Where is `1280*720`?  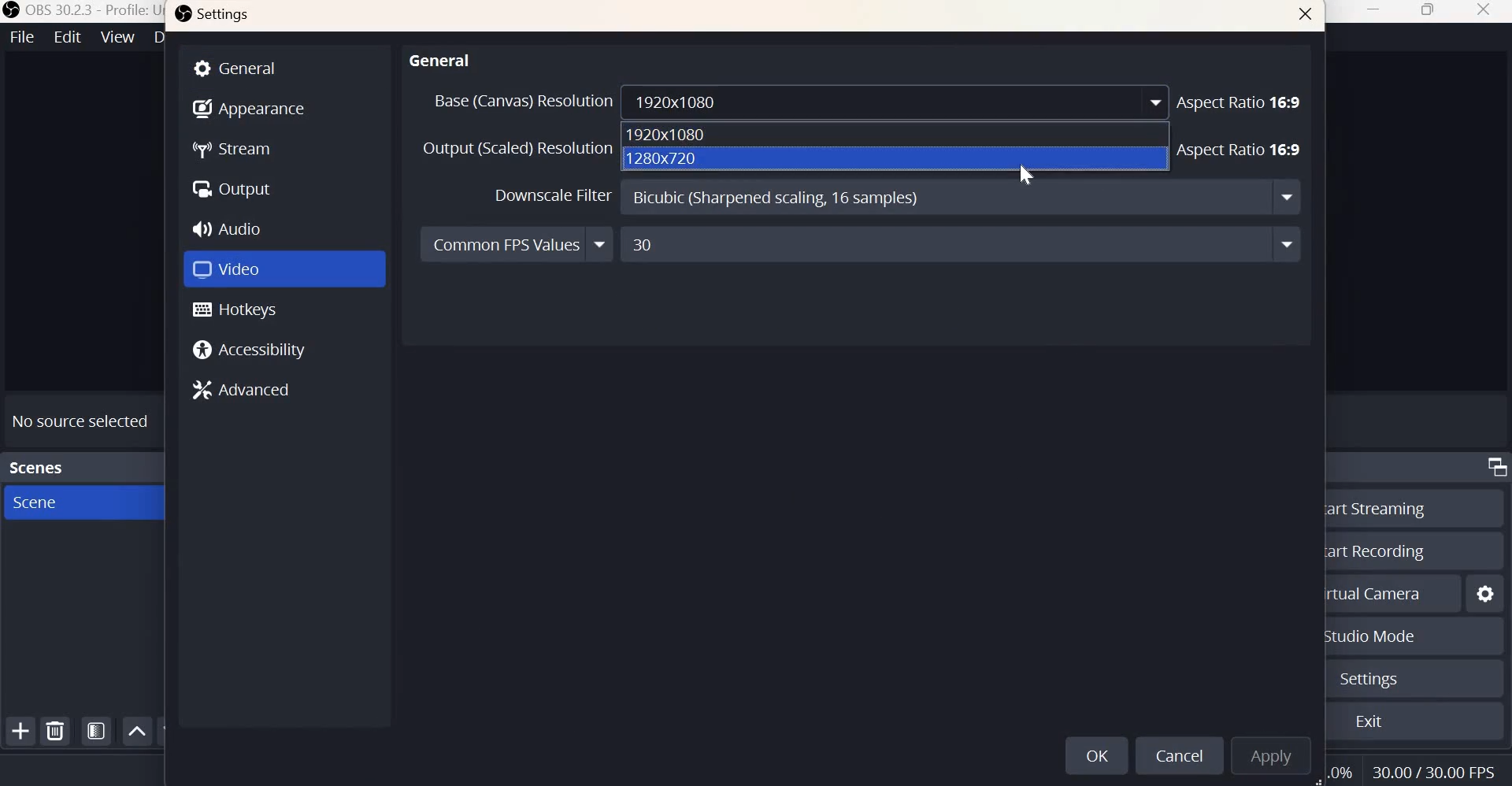
1280*720 is located at coordinates (665, 158).